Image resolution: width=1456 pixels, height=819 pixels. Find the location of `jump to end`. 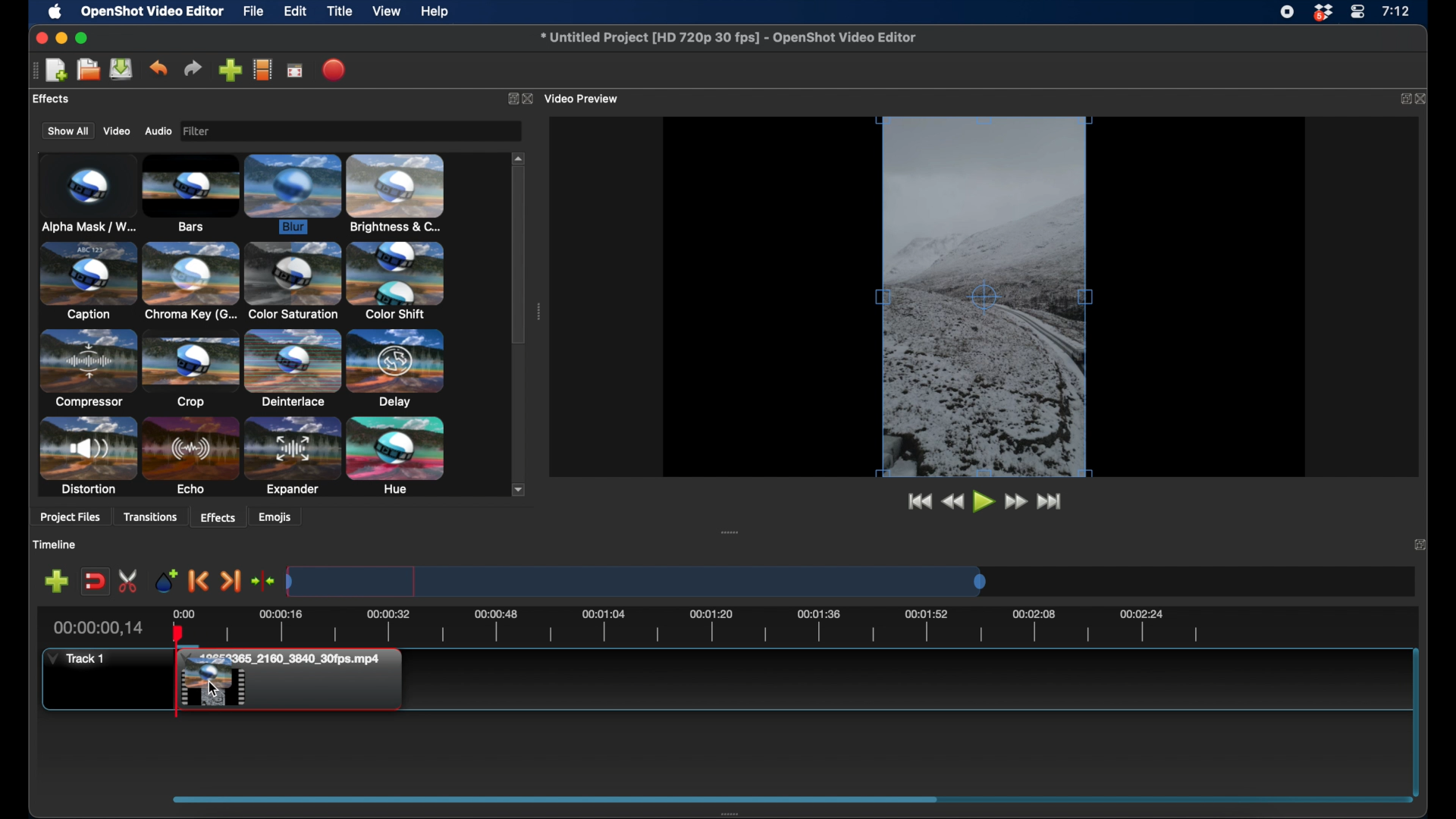

jump to end is located at coordinates (1052, 502).